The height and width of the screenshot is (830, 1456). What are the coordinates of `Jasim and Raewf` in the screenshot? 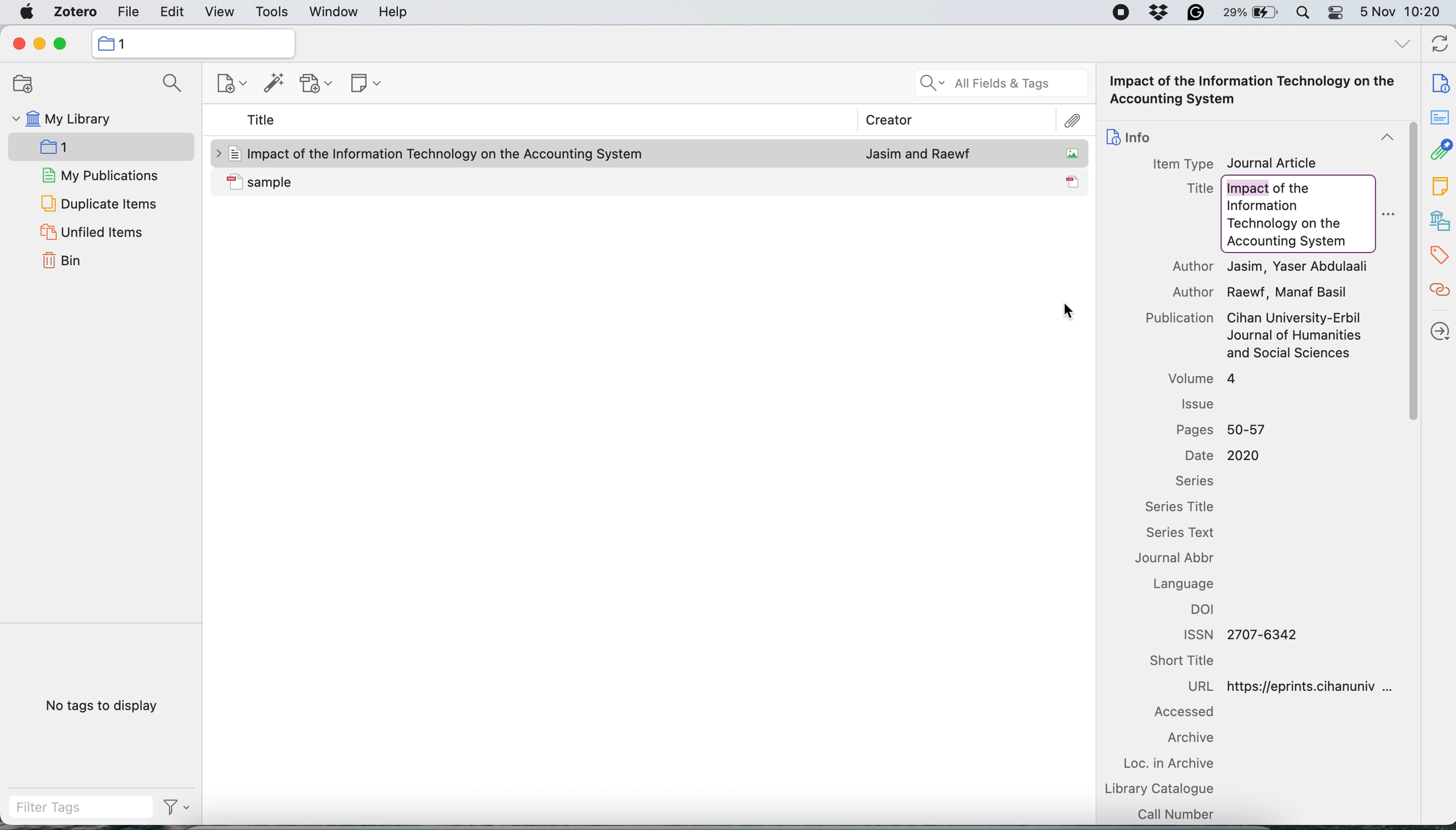 It's located at (918, 152).